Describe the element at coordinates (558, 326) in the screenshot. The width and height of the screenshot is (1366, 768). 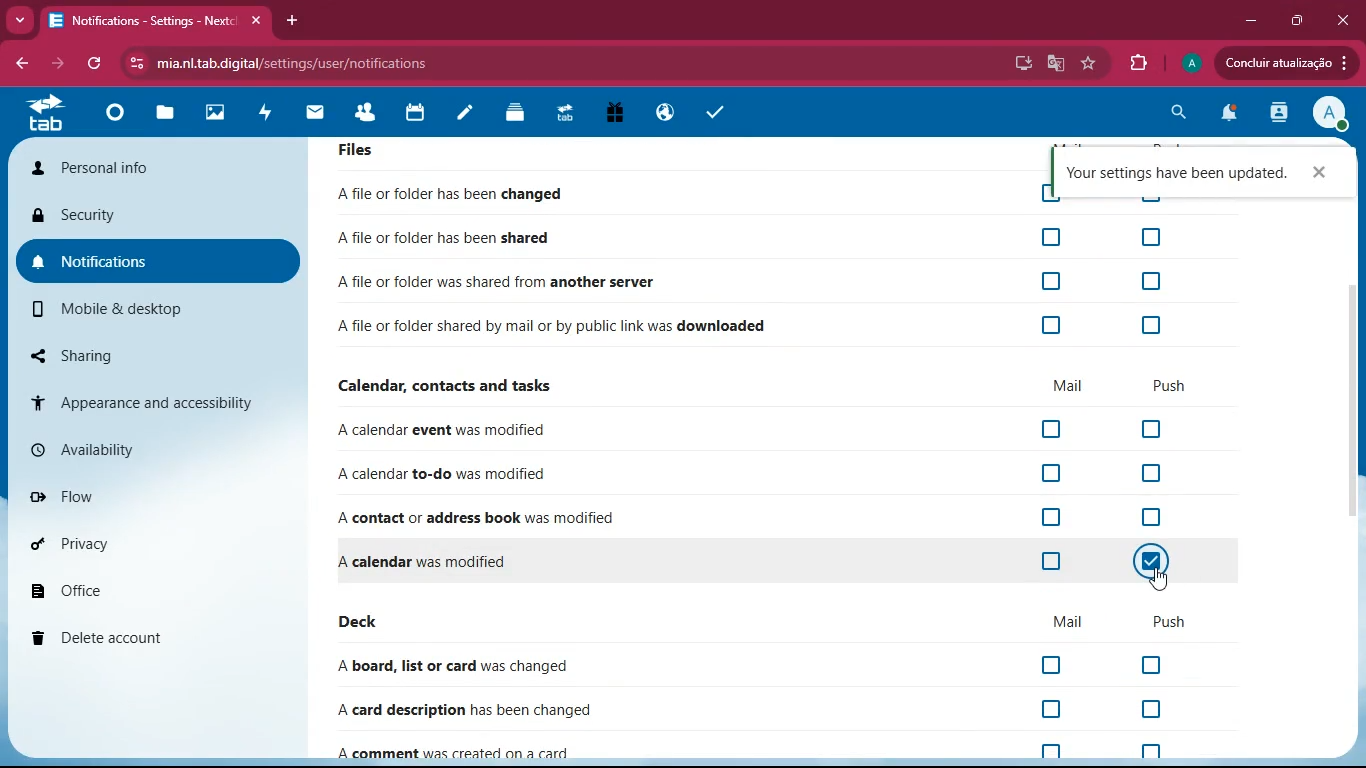
I see `file downloaded` at that location.